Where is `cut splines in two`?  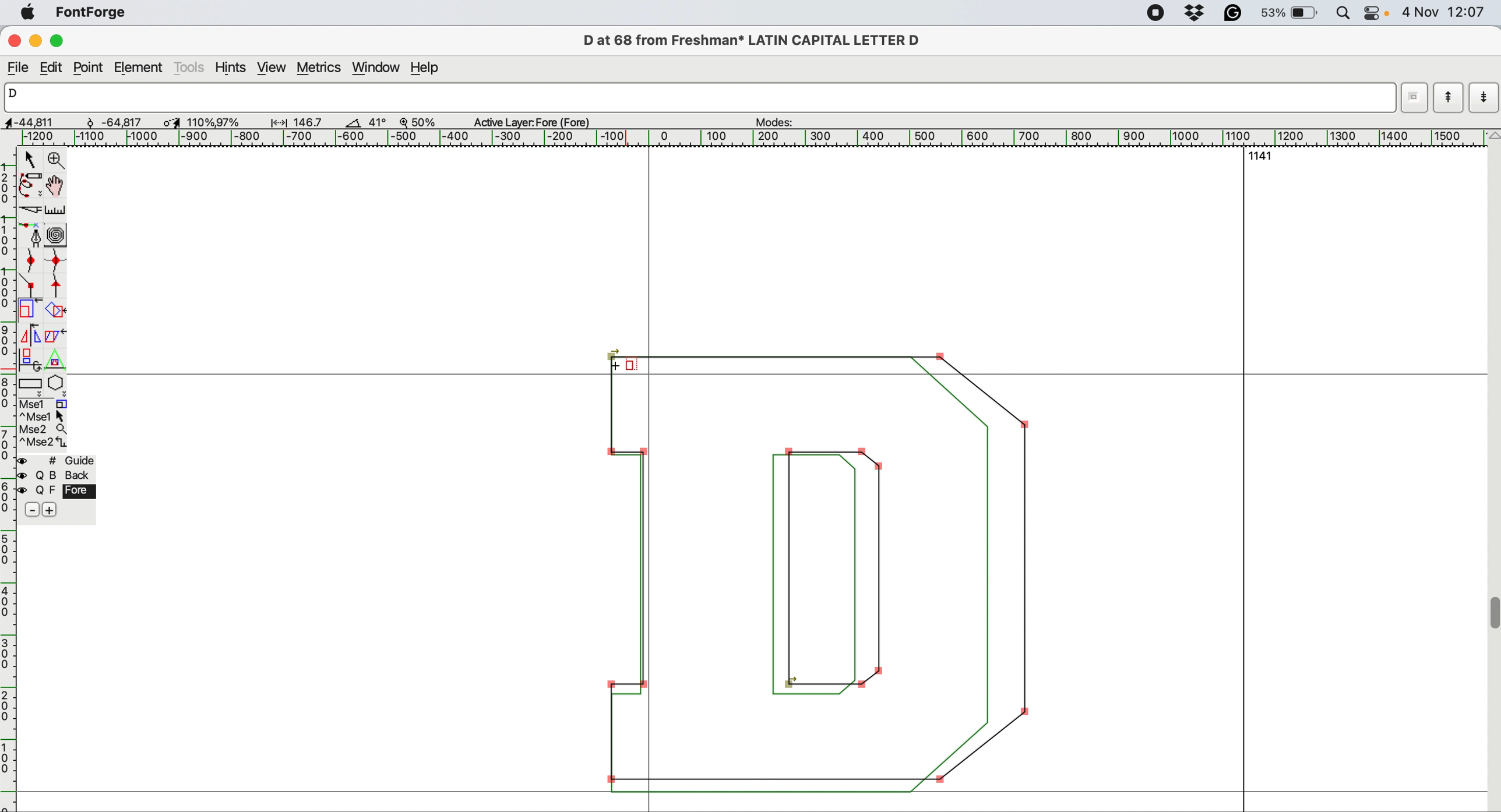 cut splines in two is located at coordinates (29, 207).